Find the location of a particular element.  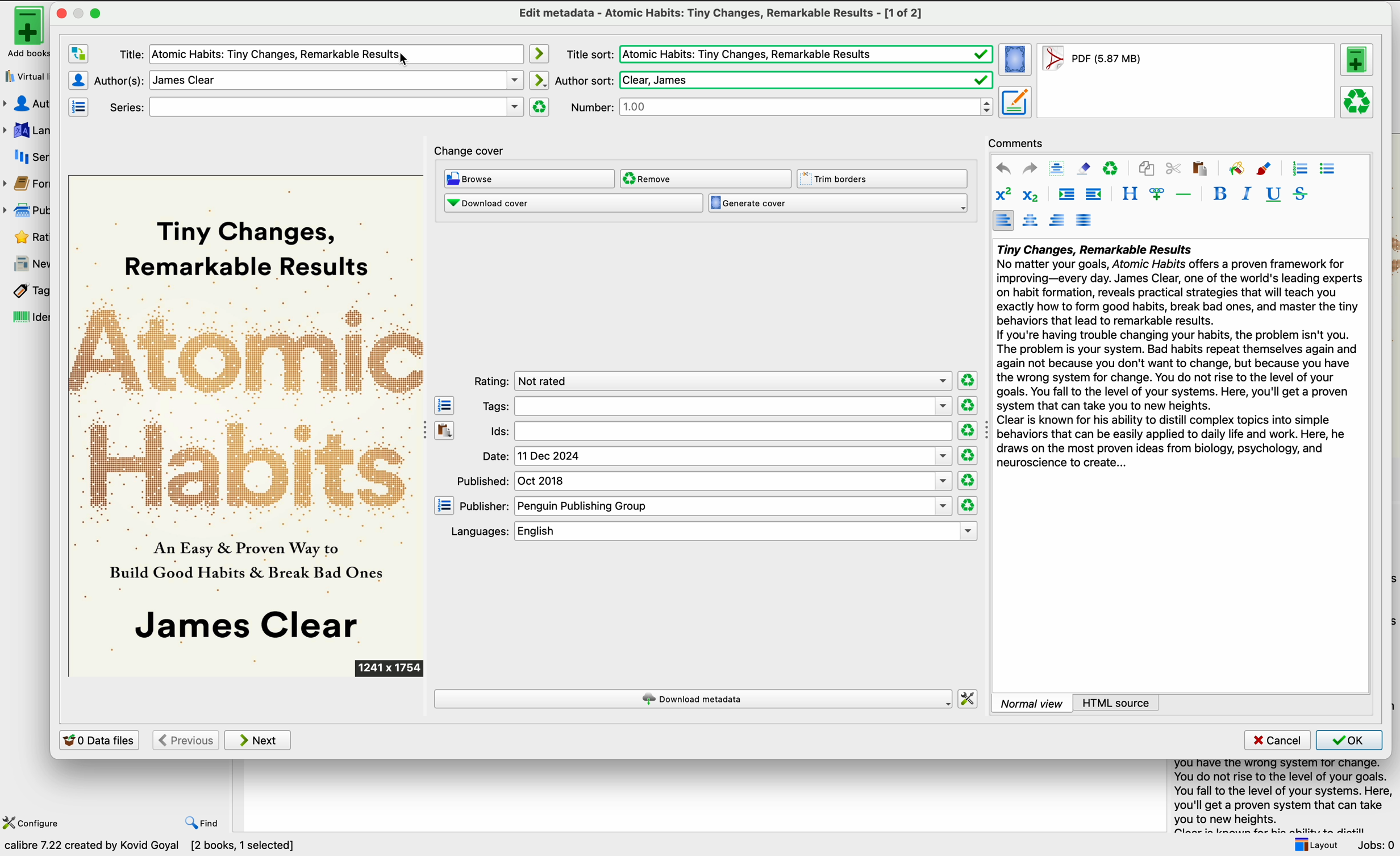

align left is located at coordinates (1003, 220).